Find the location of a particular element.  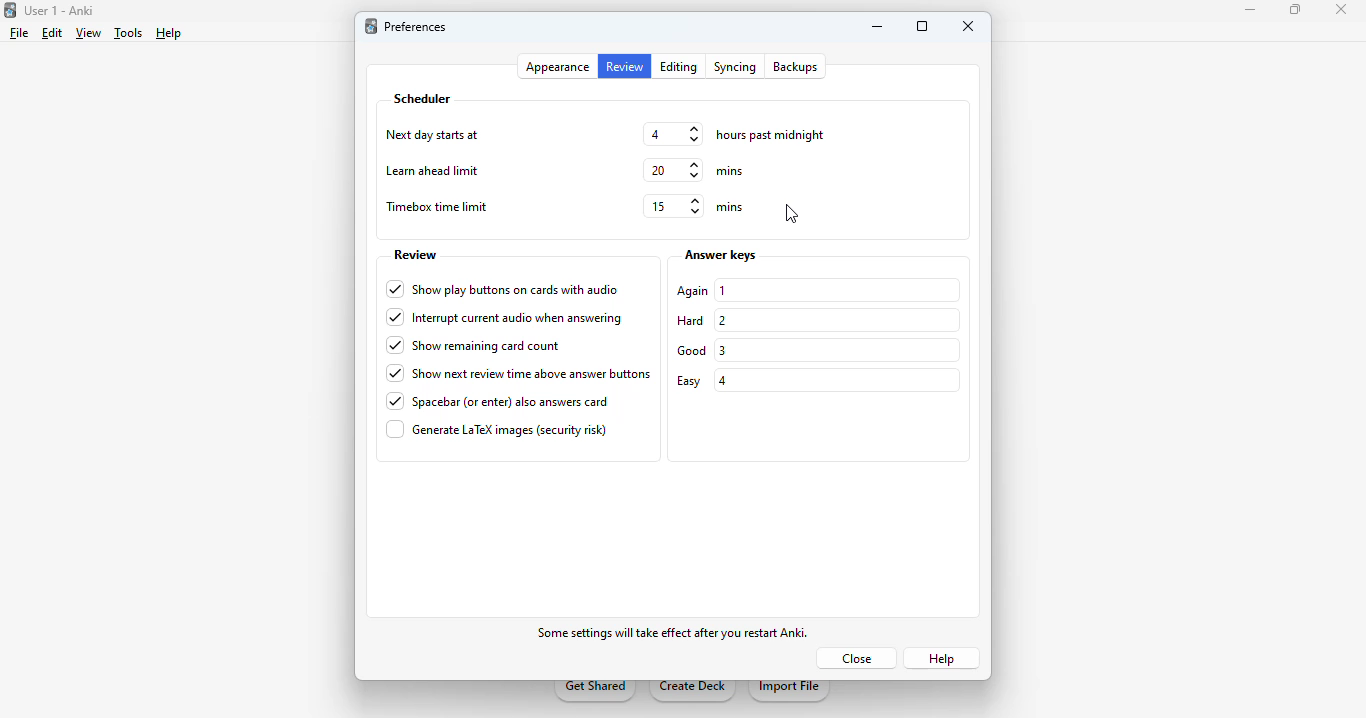

appearance is located at coordinates (560, 67).